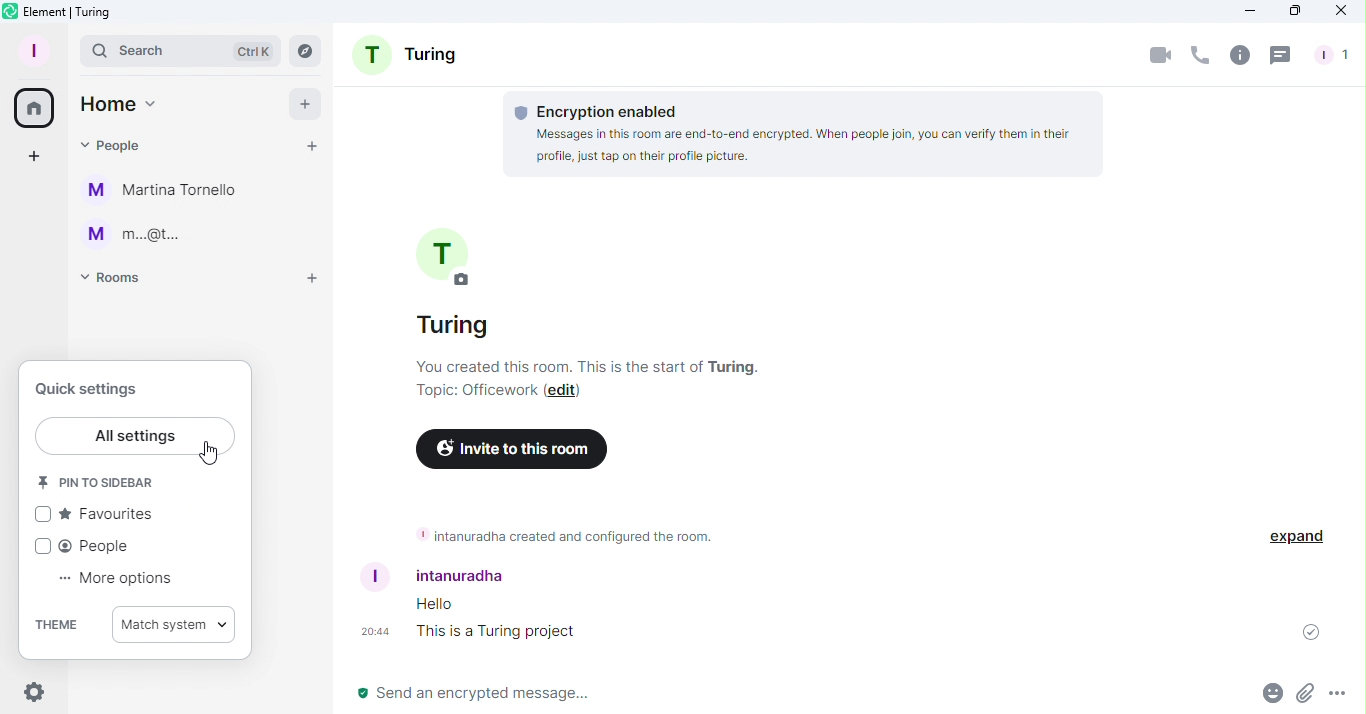 The width and height of the screenshot is (1366, 714). What do you see at coordinates (213, 452) in the screenshot?
I see `Cursor` at bounding box center [213, 452].